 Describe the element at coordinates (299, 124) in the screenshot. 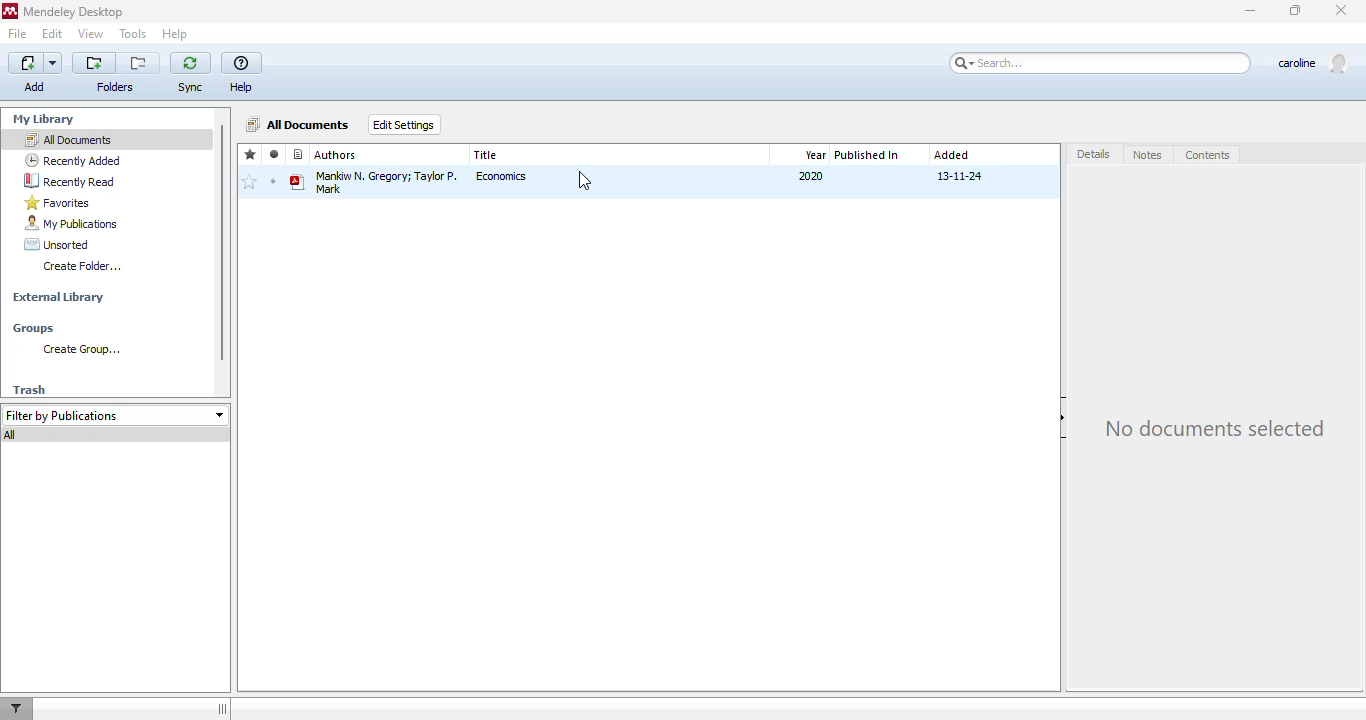

I see `all documents` at that location.